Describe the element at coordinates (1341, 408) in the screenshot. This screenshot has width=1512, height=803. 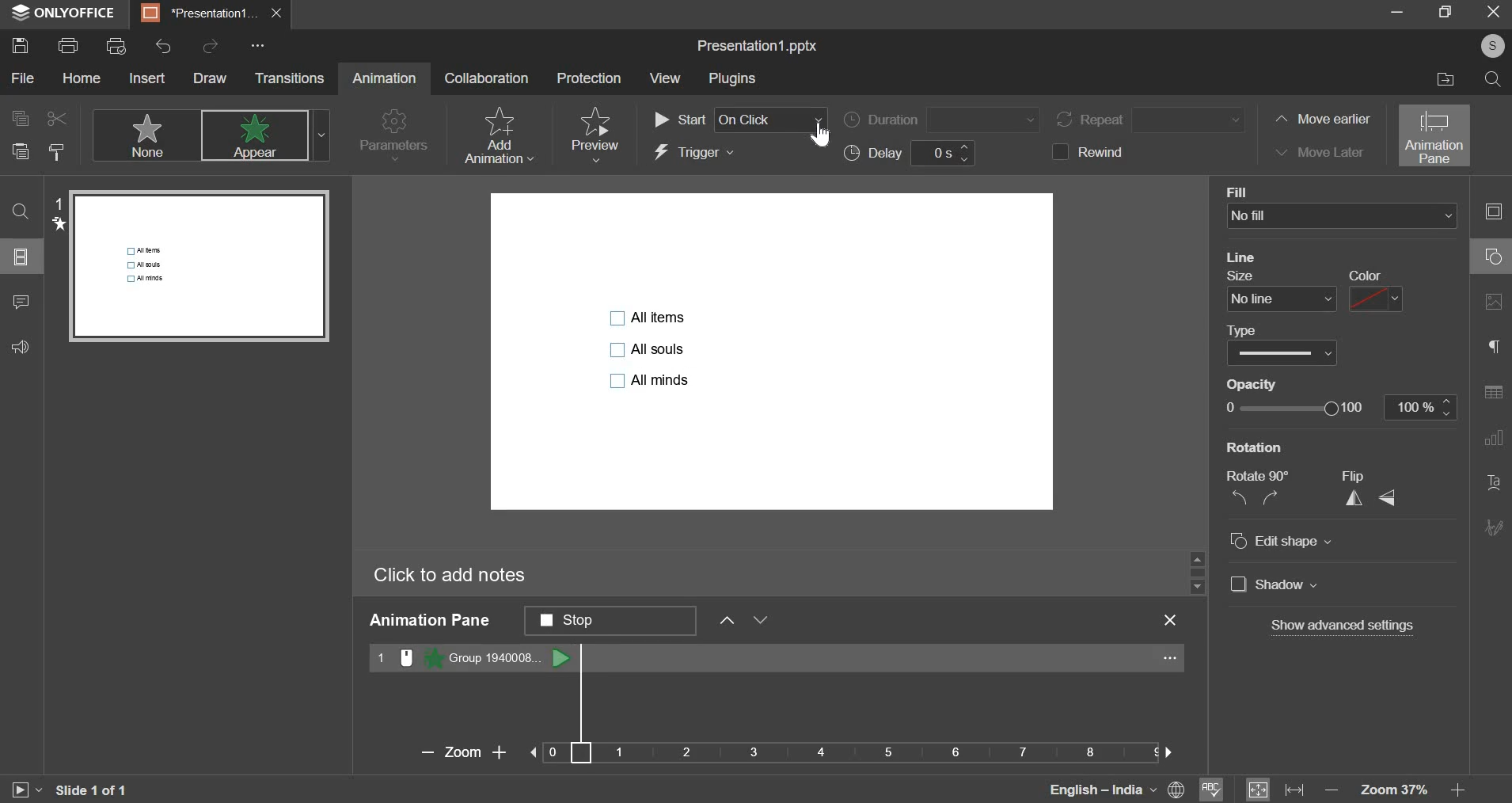
I see `opacity` at that location.